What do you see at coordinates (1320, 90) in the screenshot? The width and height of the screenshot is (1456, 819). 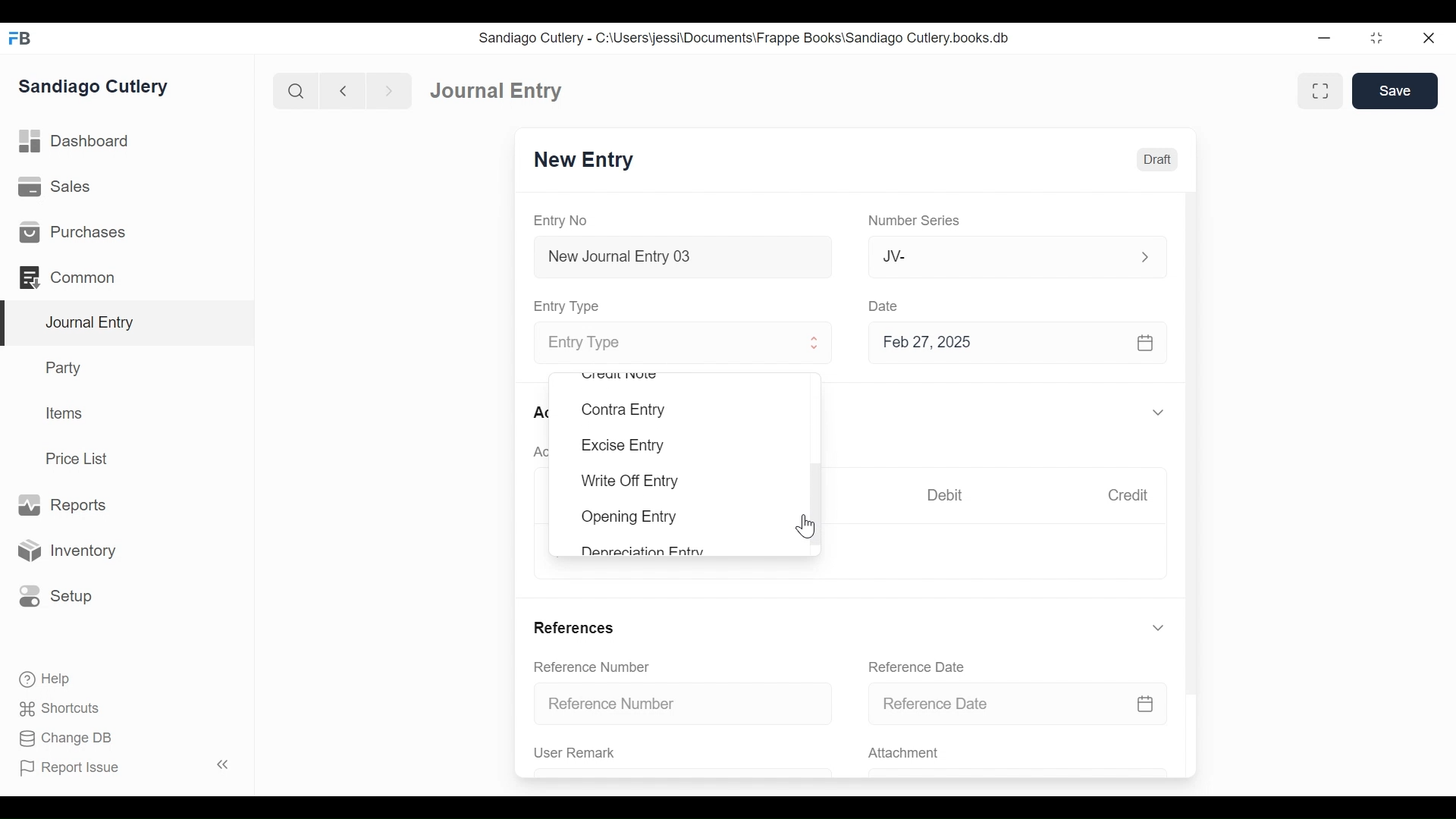 I see `Toggle between form and full width` at bounding box center [1320, 90].